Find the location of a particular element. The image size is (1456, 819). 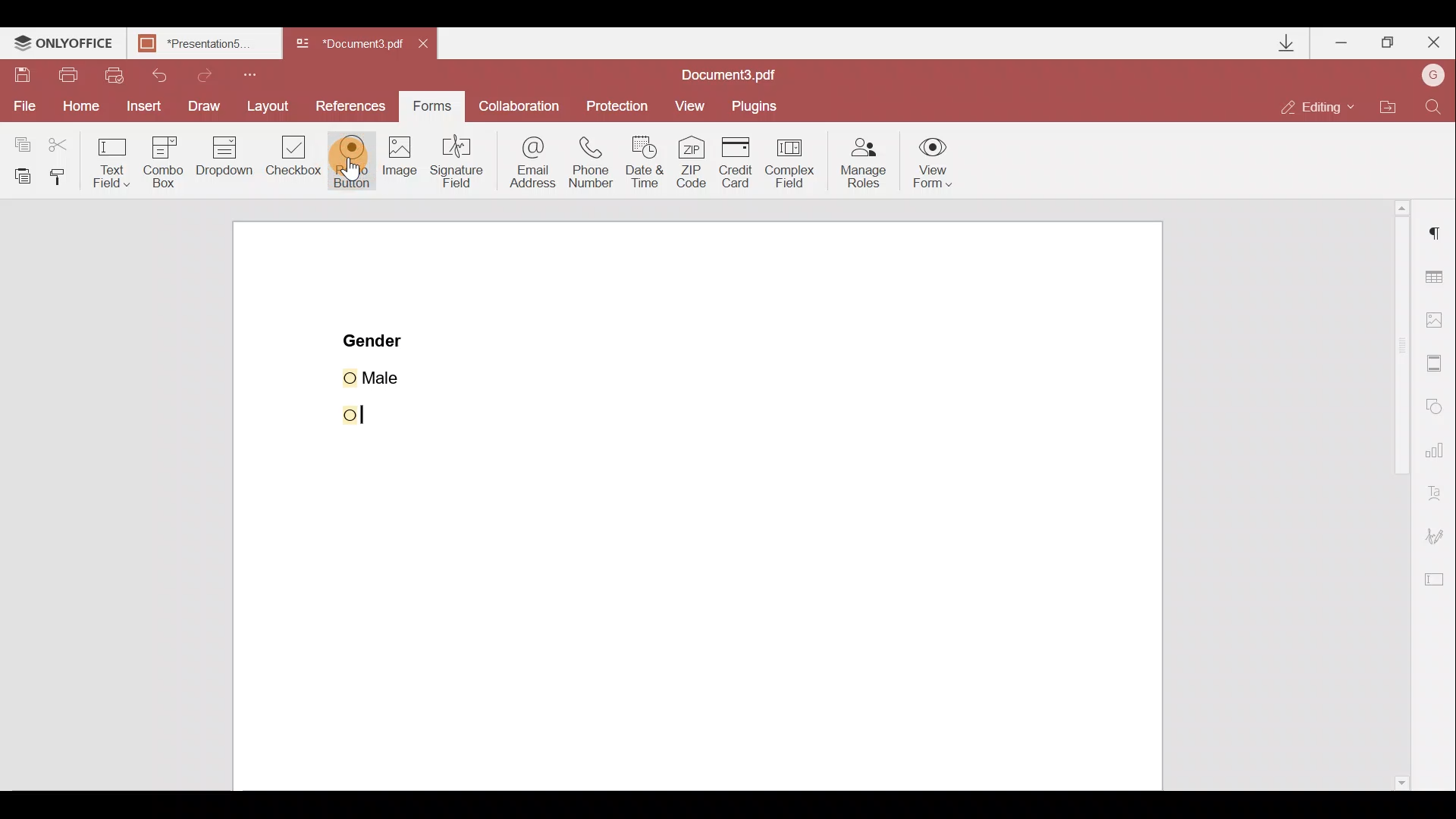

Account name is located at coordinates (1433, 75).